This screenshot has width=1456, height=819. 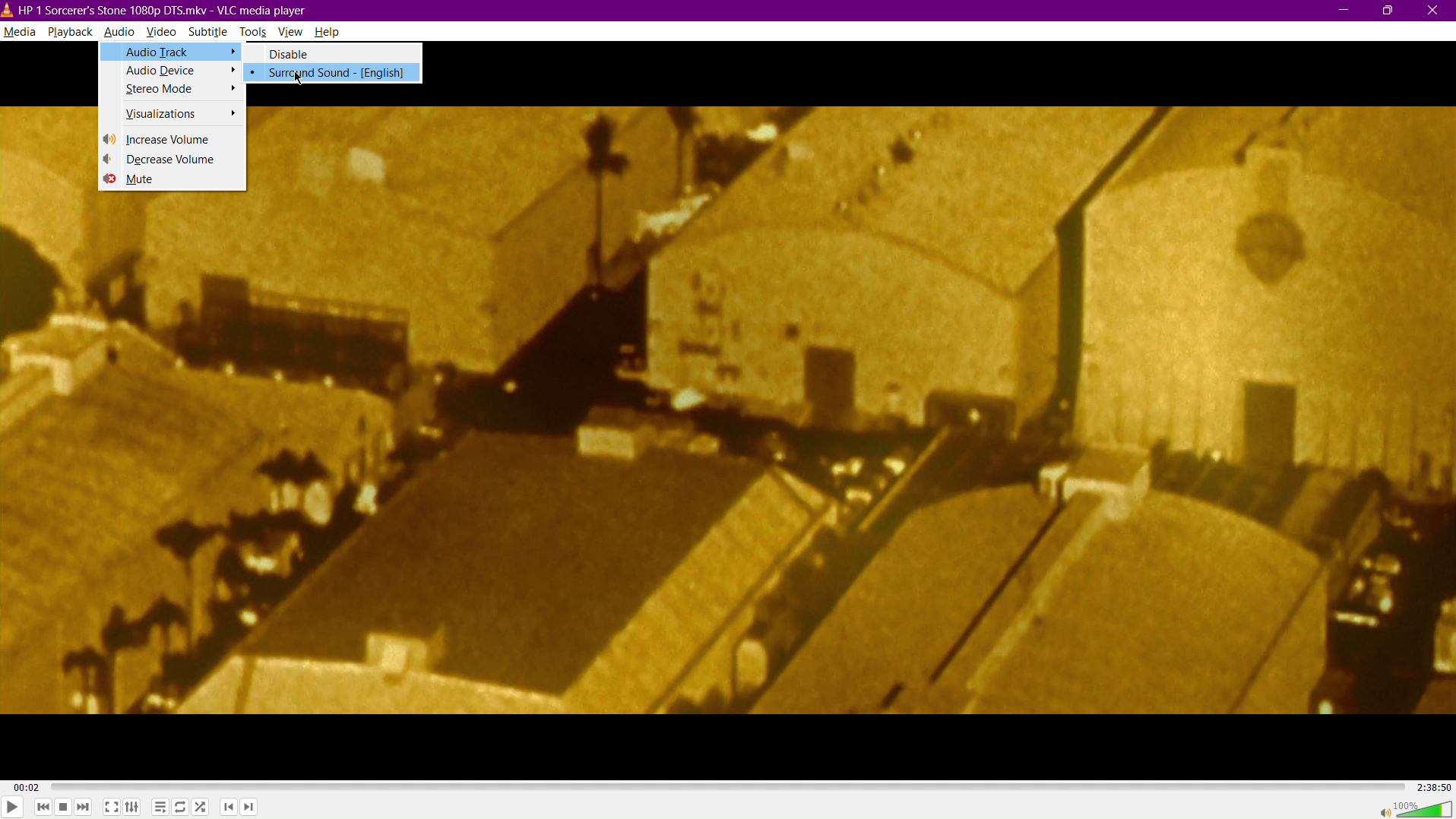 I want to click on Media, so click(x=19, y=32).